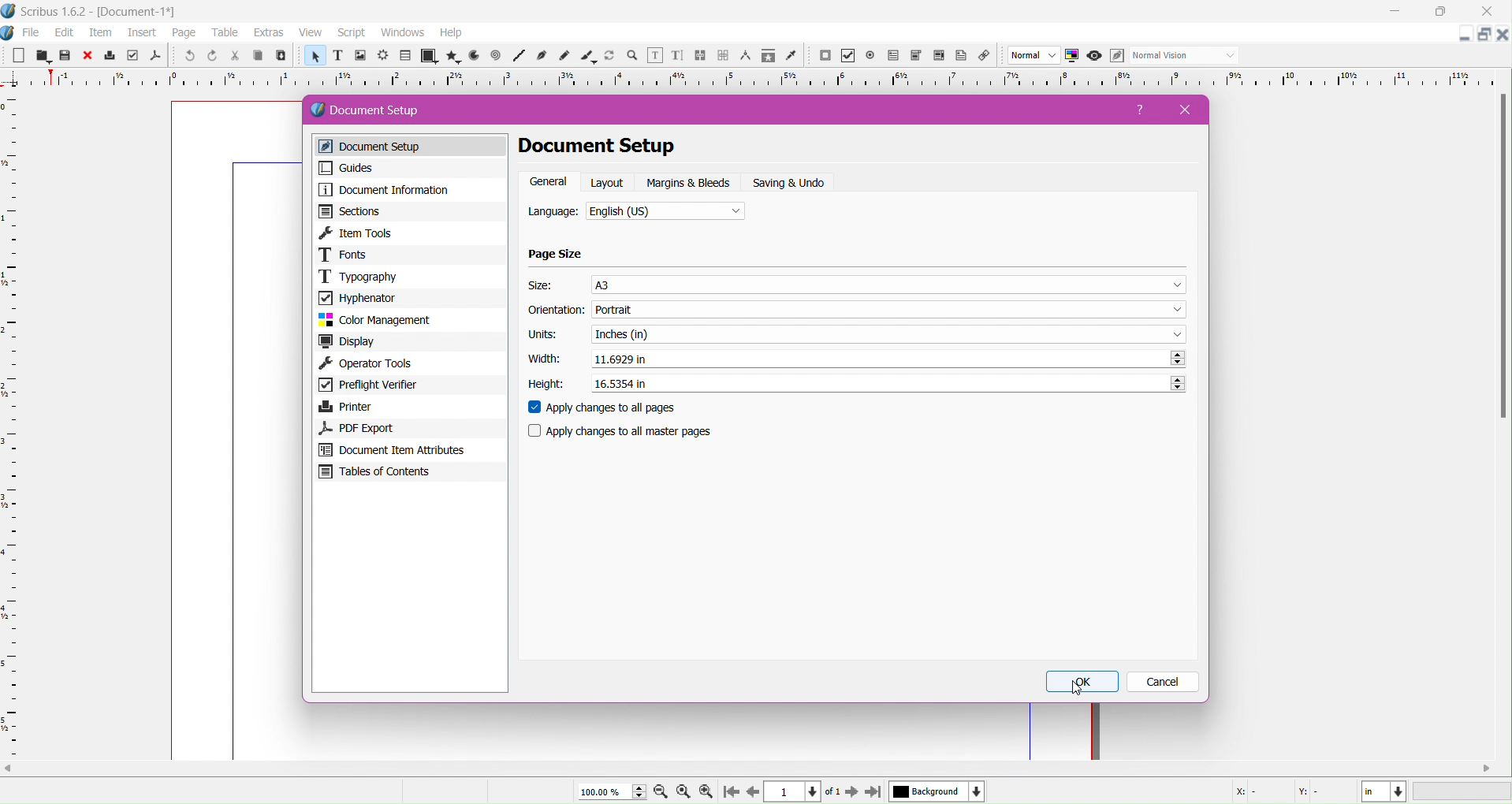  What do you see at coordinates (690, 183) in the screenshot?
I see `Margins and Bleeds` at bounding box center [690, 183].